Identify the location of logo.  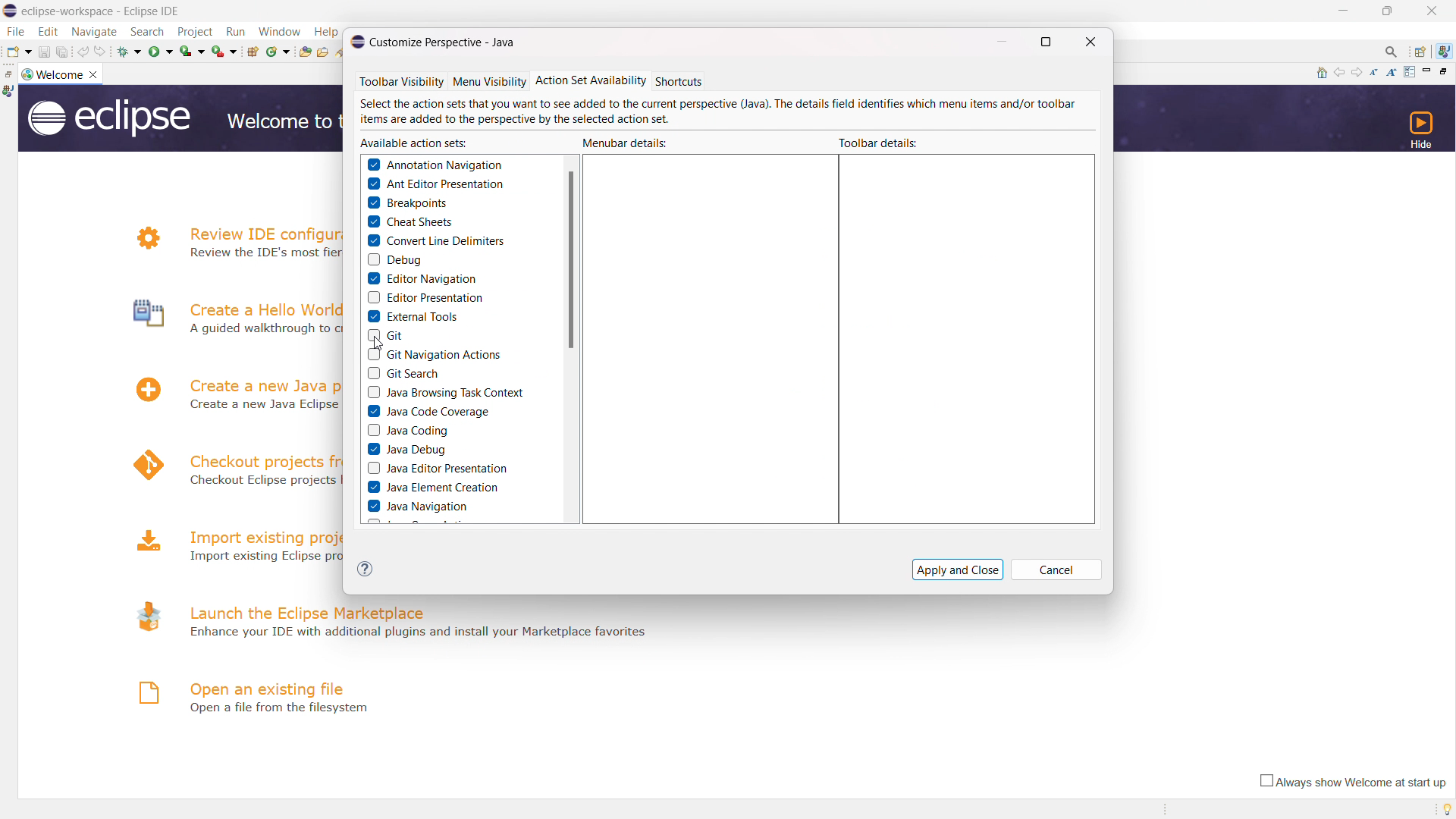
(144, 615).